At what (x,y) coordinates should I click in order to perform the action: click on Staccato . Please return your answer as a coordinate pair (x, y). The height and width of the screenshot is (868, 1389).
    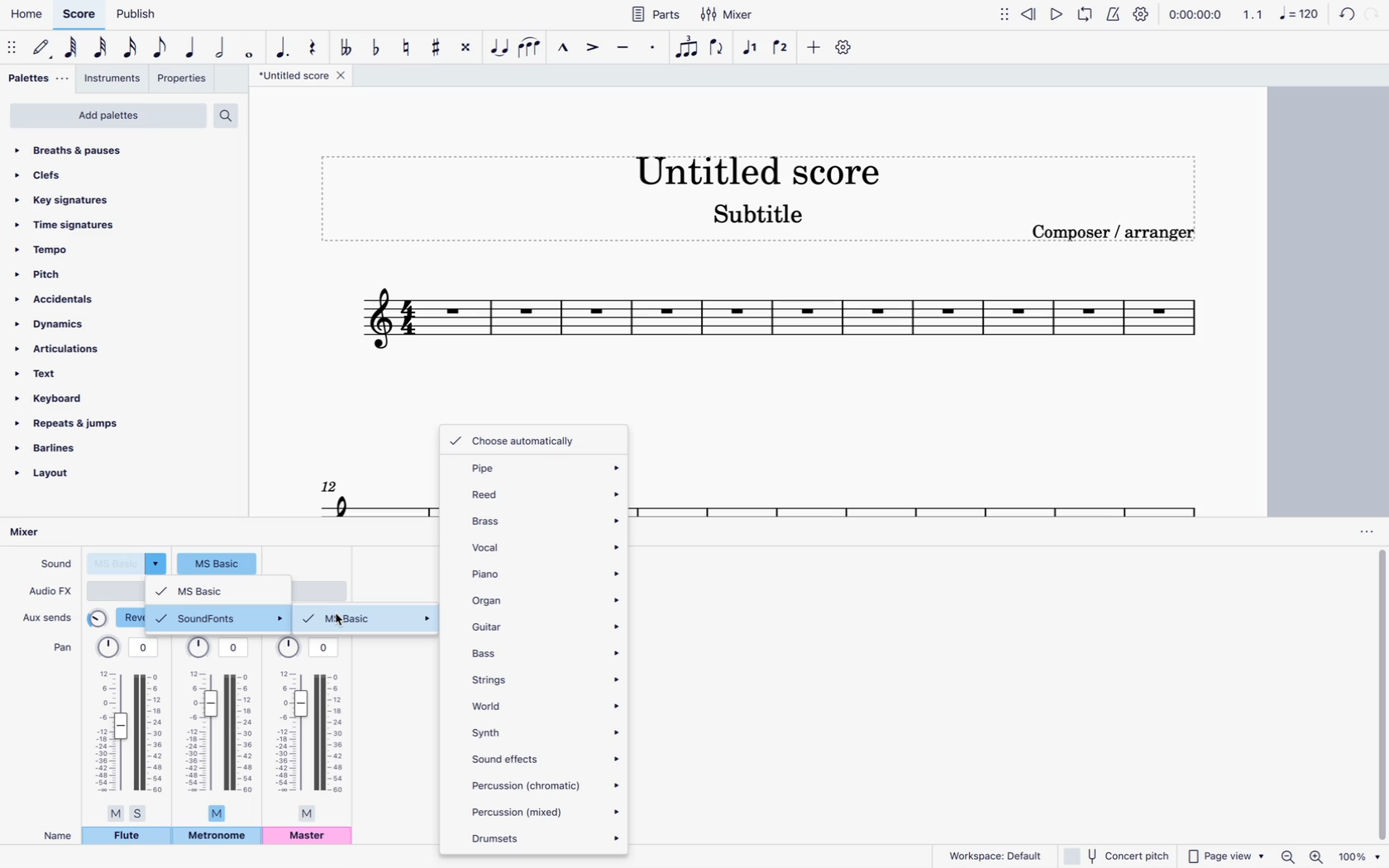
    Looking at the image, I should click on (655, 45).